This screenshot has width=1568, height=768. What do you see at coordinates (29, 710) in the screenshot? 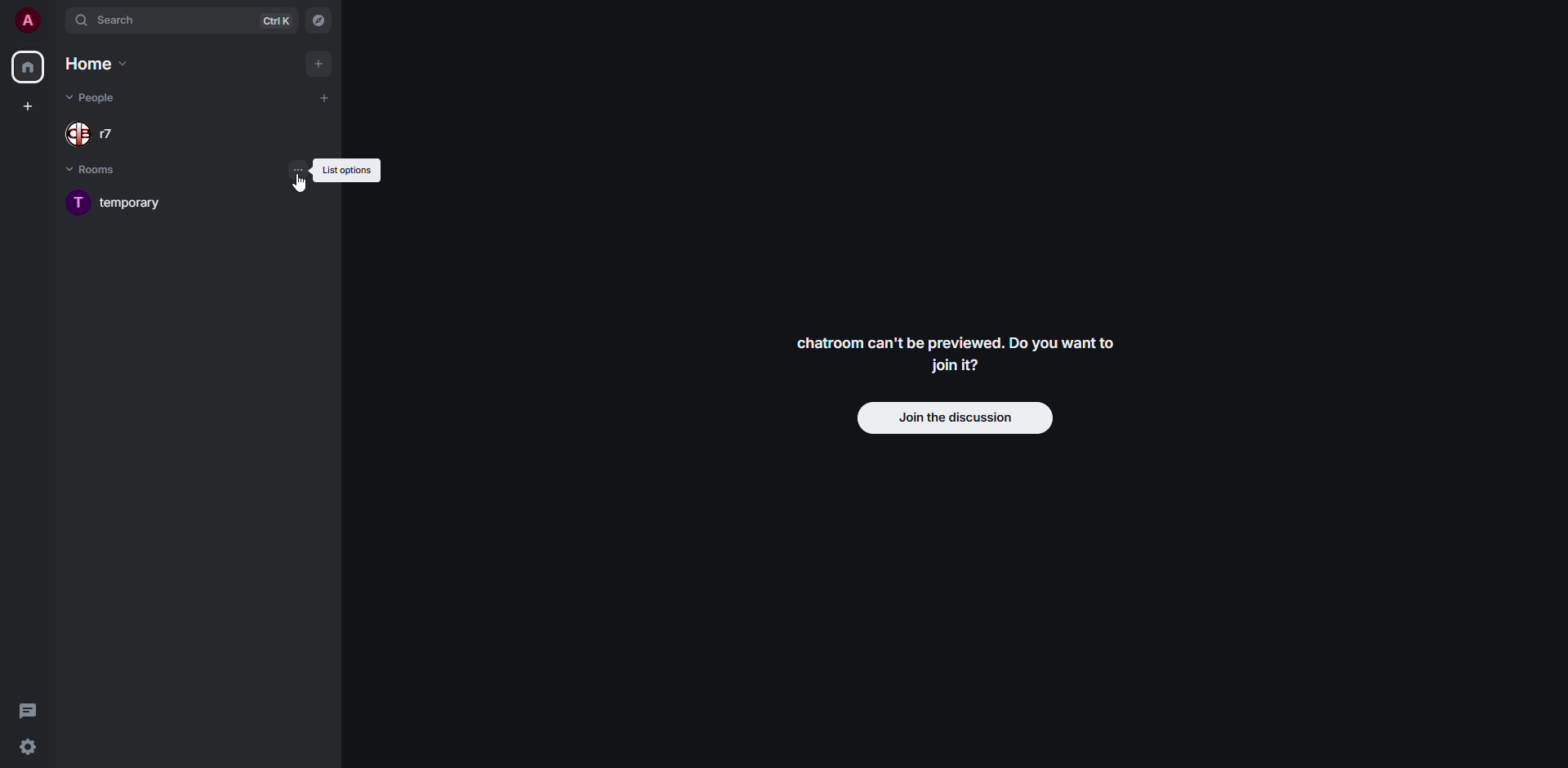
I see `threads` at bounding box center [29, 710].